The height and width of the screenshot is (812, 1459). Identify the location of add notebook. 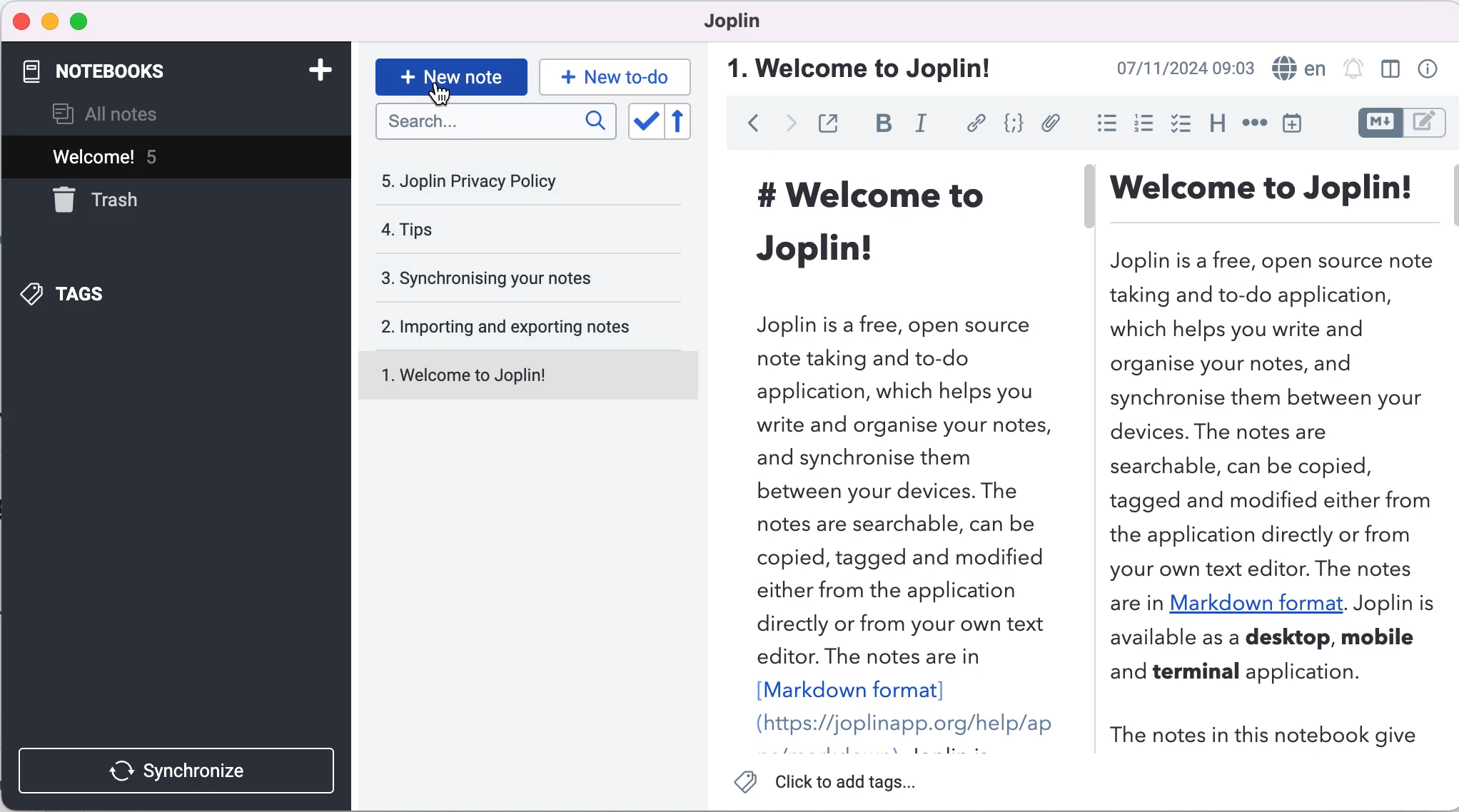
(324, 70).